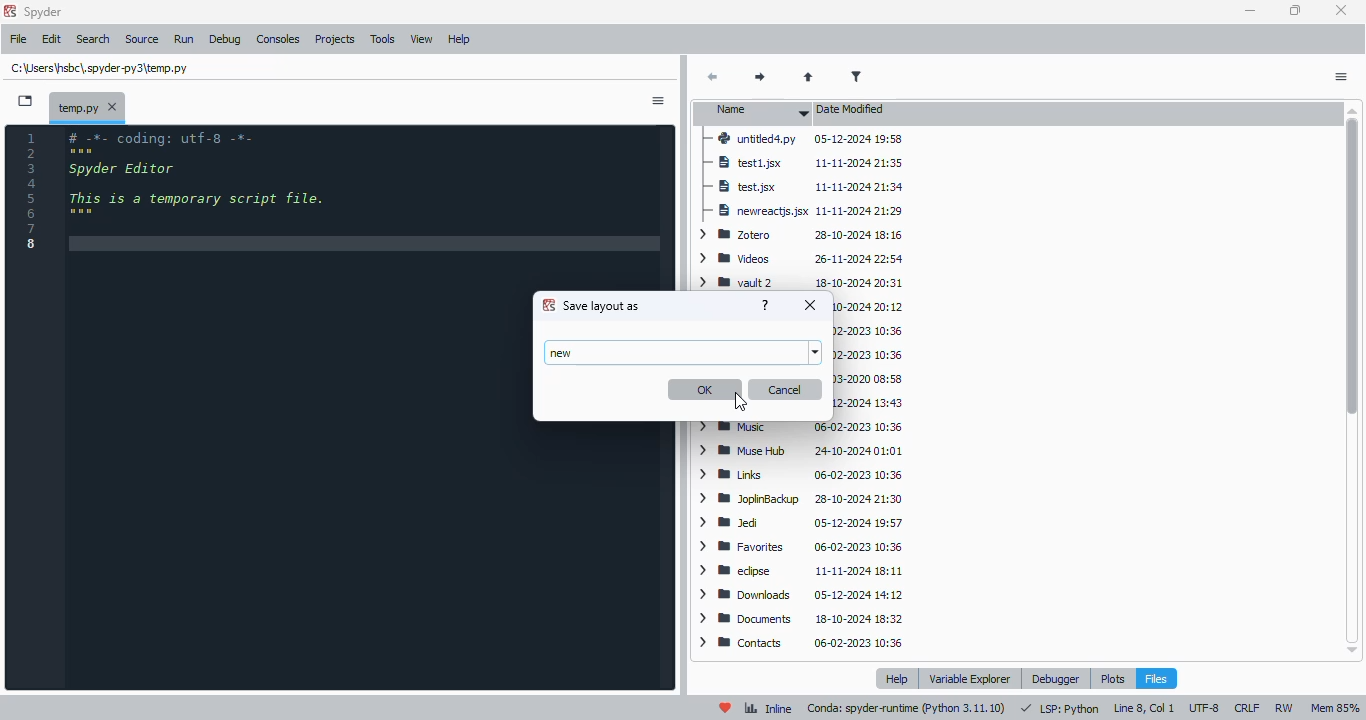 The width and height of the screenshot is (1366, 720). I want to click on documents, so click(800, 619).